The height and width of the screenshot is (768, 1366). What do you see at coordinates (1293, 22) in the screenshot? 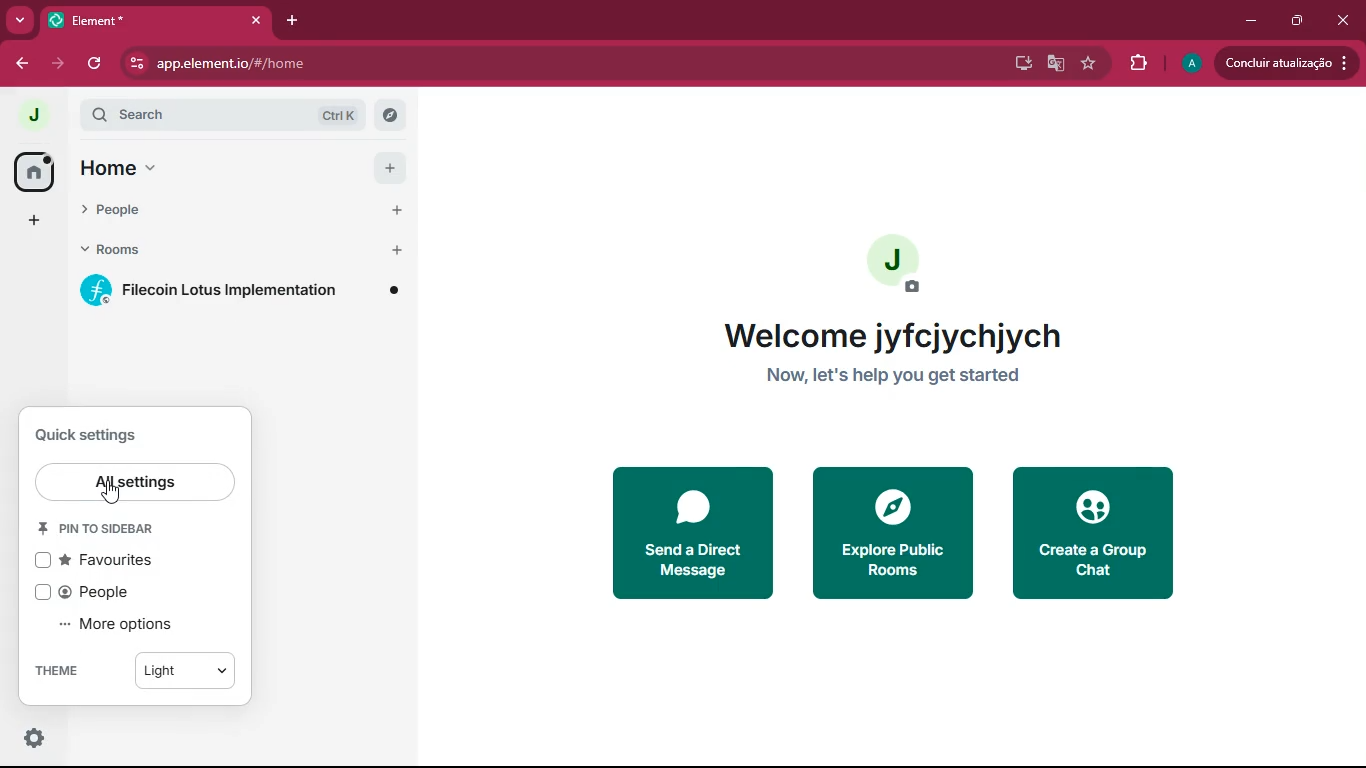
I see `maximize` at bounding box center [1293, 22].